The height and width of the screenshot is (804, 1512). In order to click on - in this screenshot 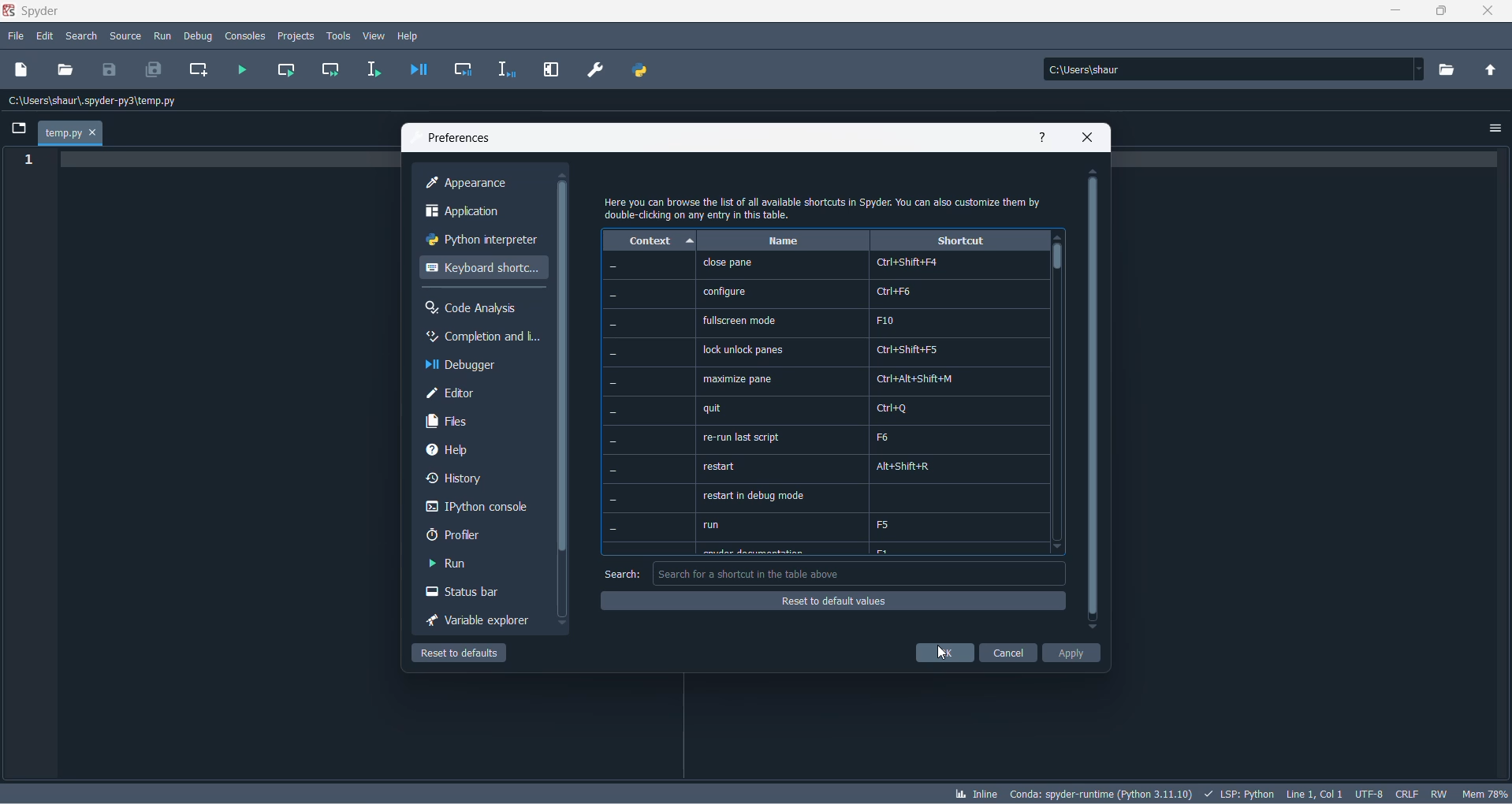, I will do `click(613, 410)`.